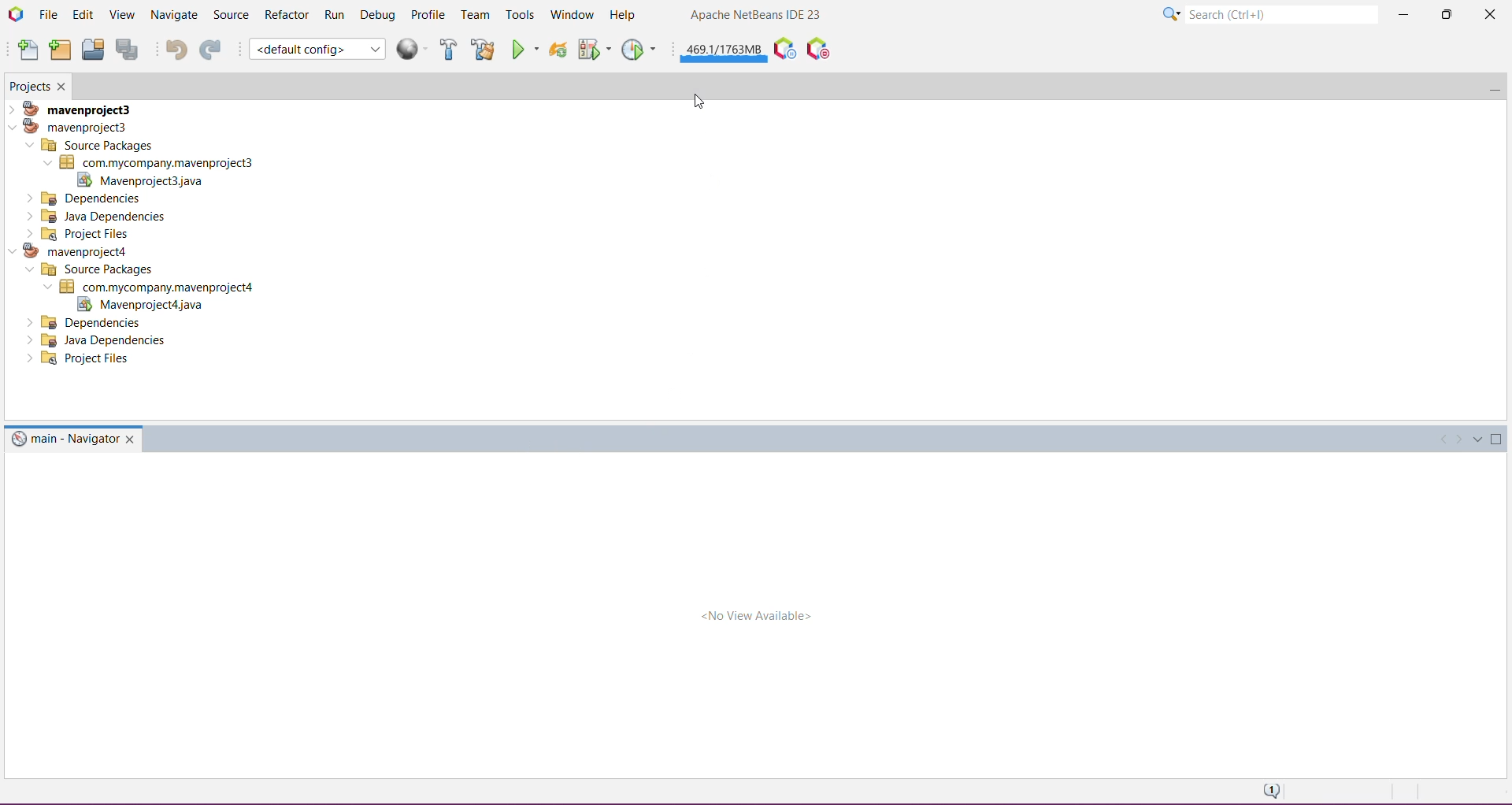 This screenshot has height=805, width=1512. What do you see at coordinates (756, 616) in the screenshot?
I see `<No View Available>` at bounding box center [756, 616].